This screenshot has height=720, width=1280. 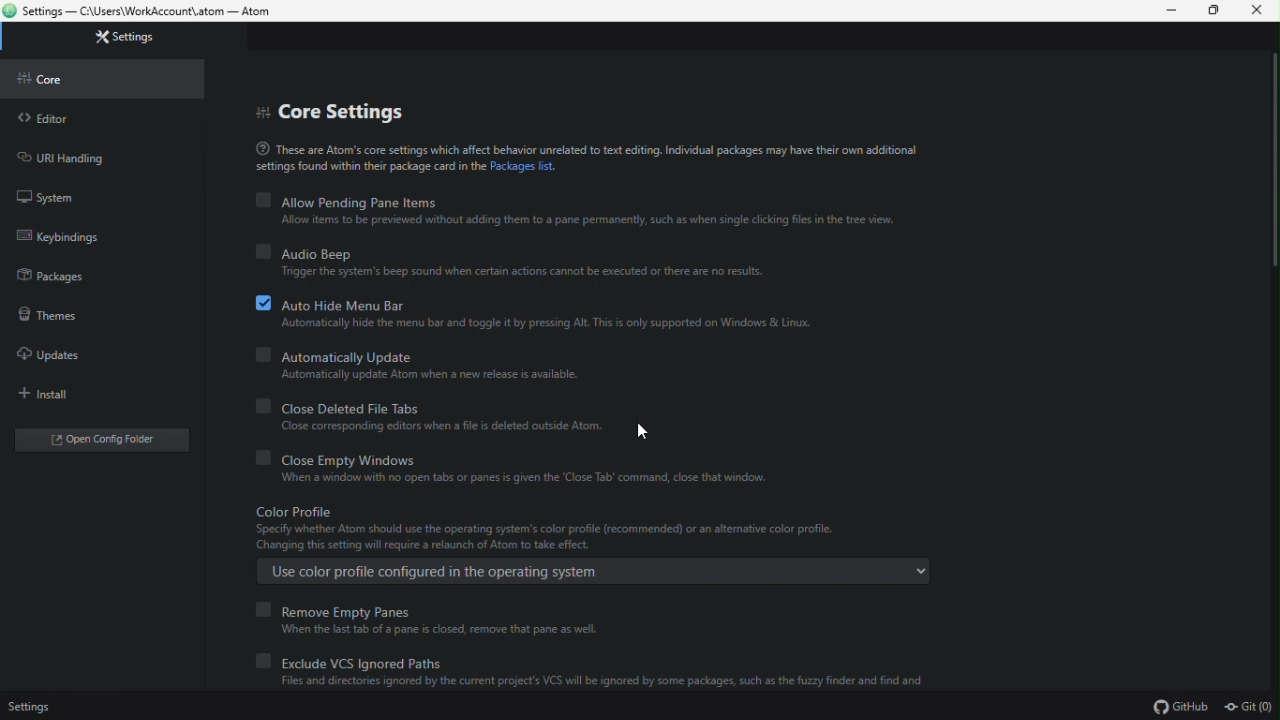 I want to click on Packages, so click(x=94, y=276).